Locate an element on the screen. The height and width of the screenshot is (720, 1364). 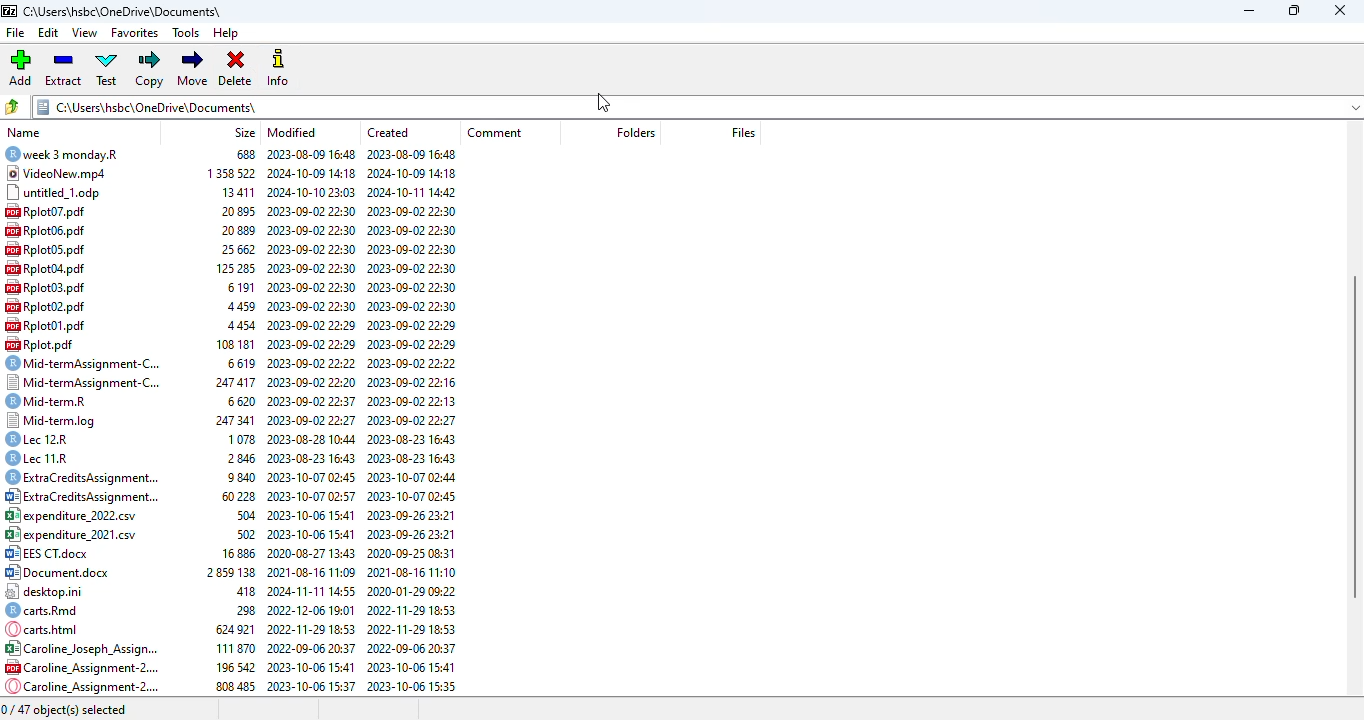
2021-08-16 11:10 is located at coordinates (415, 573).